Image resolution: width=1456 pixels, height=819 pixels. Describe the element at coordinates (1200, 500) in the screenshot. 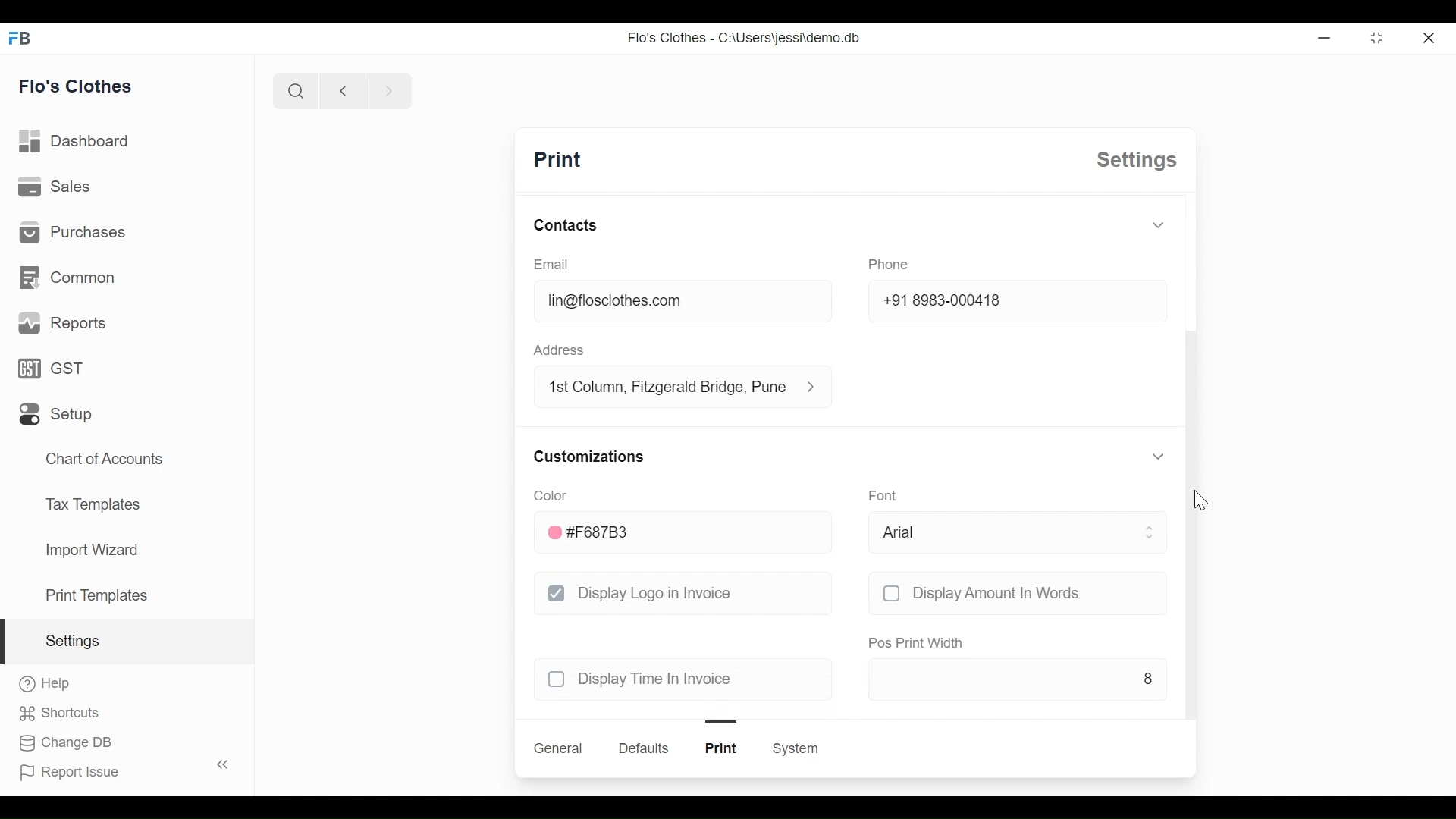

I see `cursor-drag to` at that location.